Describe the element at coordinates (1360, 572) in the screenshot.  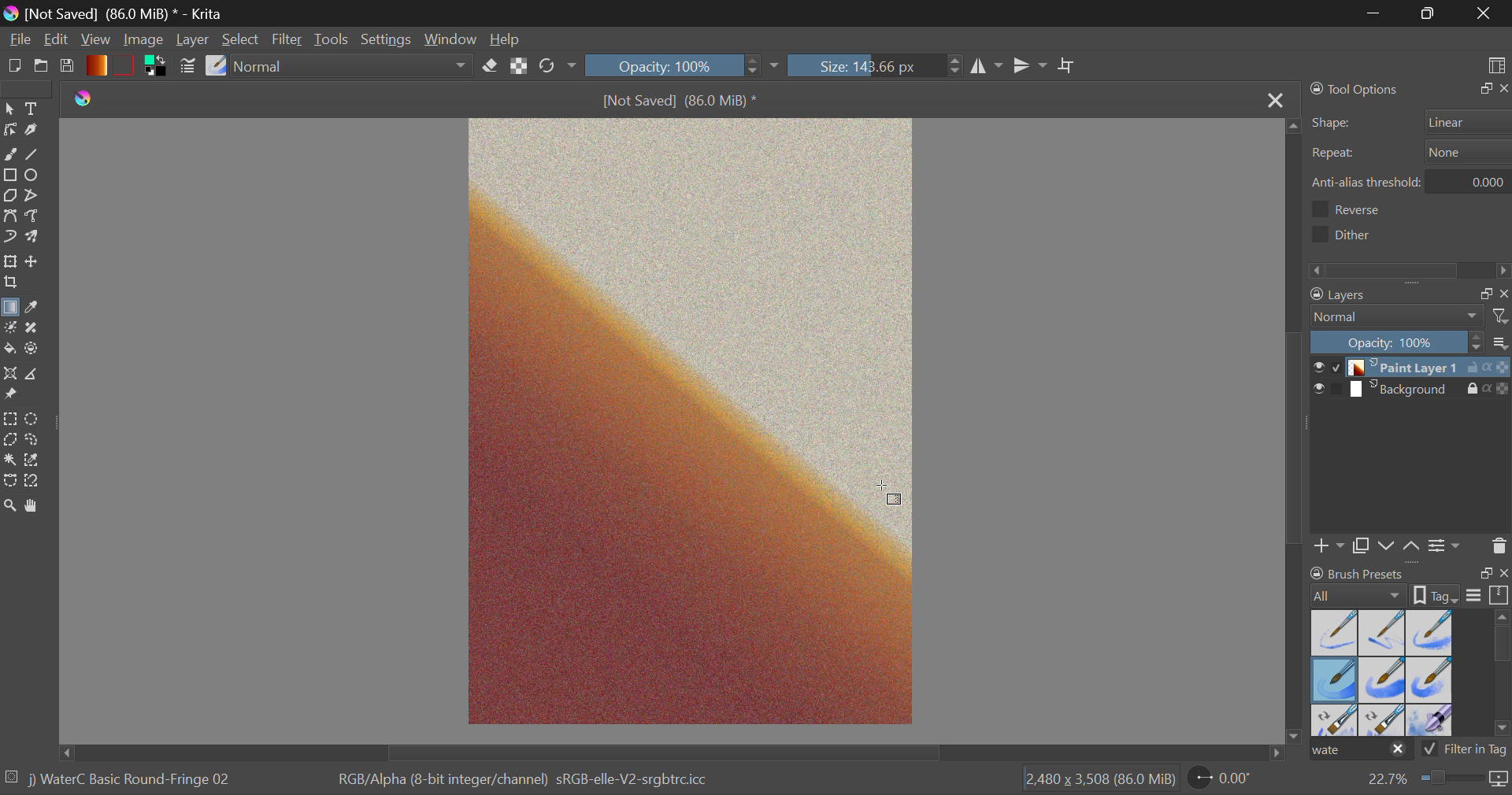
I see `Brush presets` at that location.